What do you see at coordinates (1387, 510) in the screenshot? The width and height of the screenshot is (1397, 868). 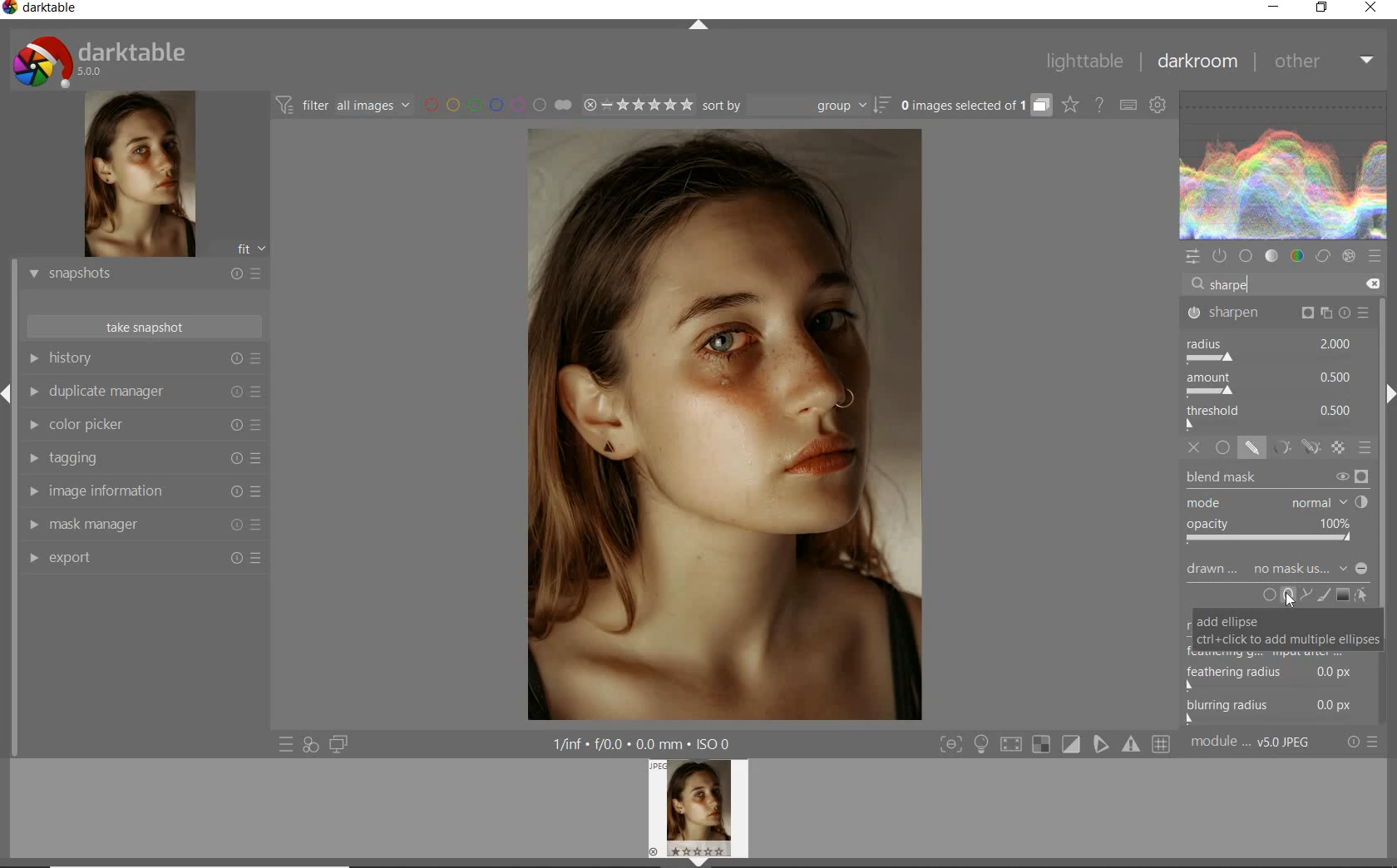 I see `scrollbar` at bounding box center [1387, 510].